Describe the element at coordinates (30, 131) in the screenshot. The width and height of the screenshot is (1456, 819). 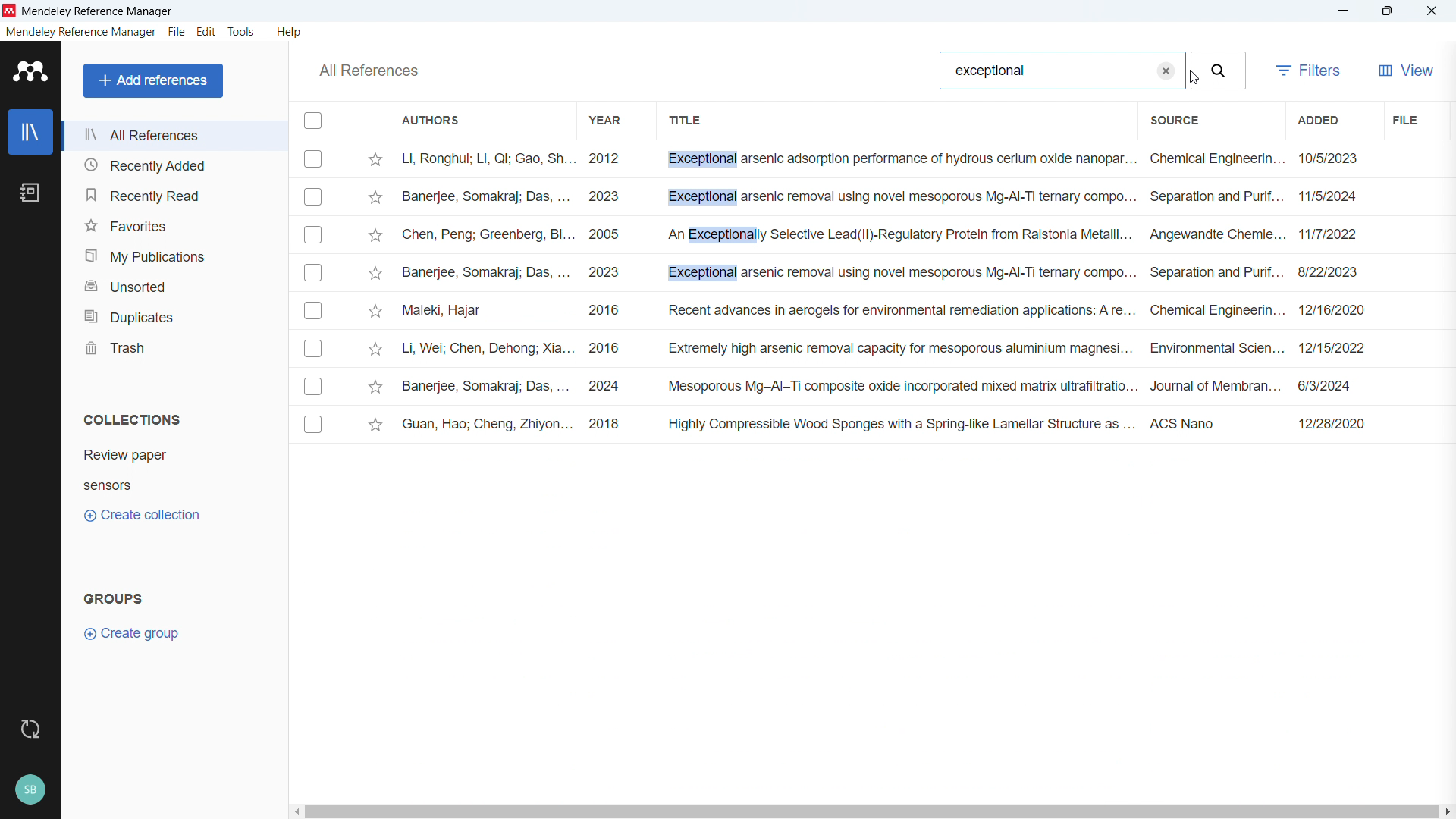
I see `library` at that location.